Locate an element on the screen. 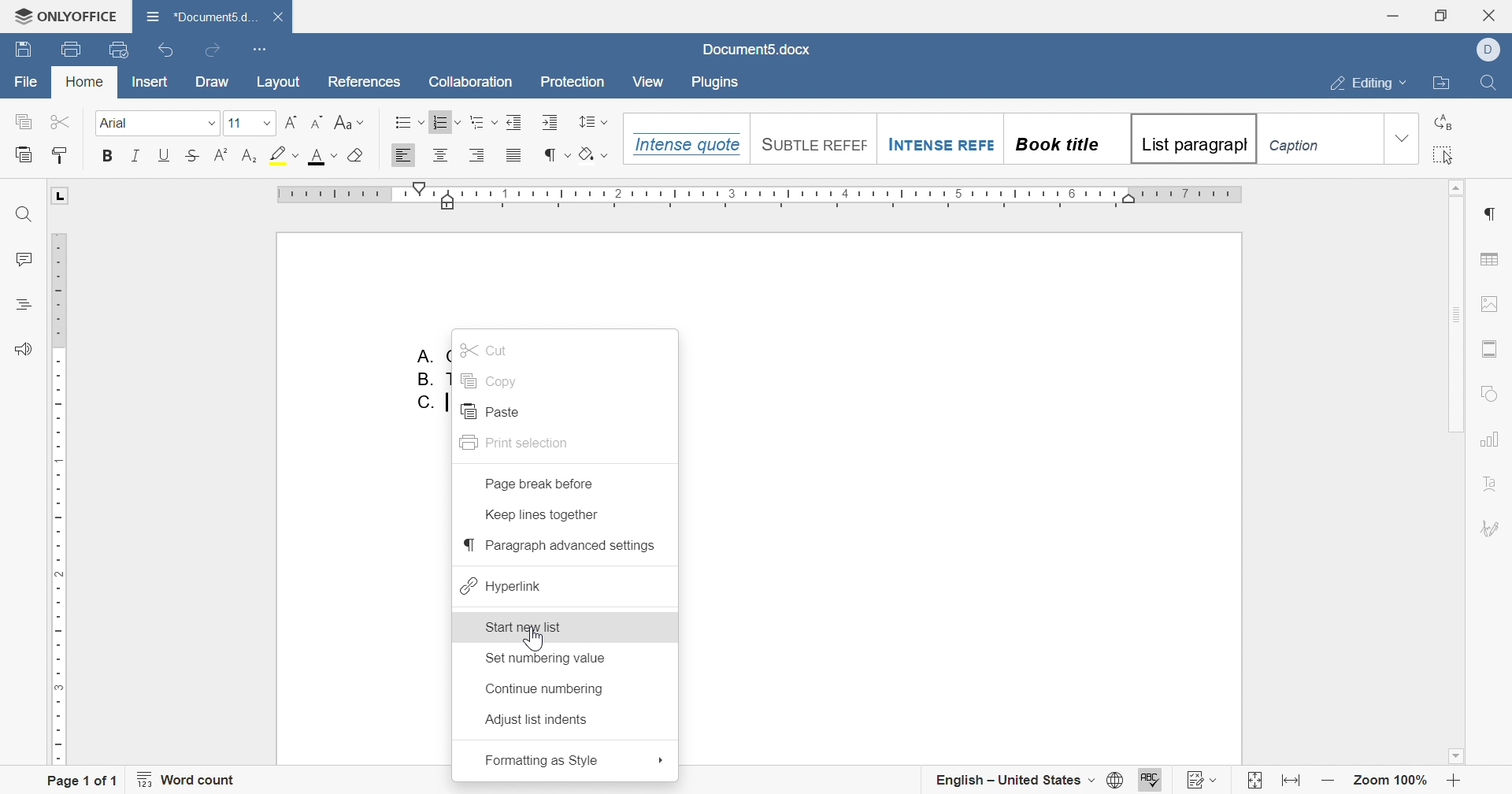 The height and width of the screenshot is (794, 1512). Suntile reefef is located at coordinates (811, 143).